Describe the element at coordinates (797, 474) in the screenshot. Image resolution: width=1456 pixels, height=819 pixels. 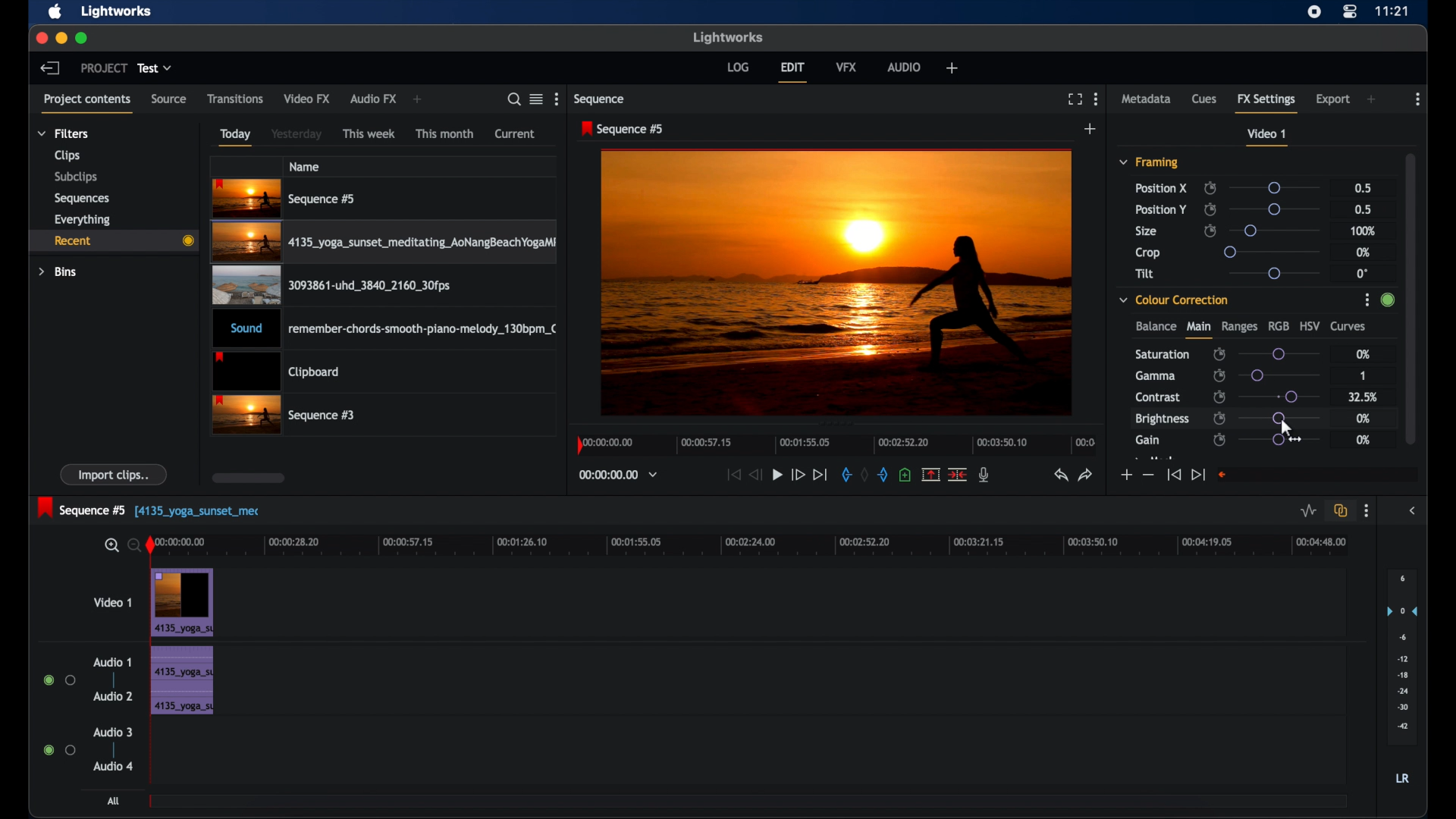
I see `fast forward` at that location.